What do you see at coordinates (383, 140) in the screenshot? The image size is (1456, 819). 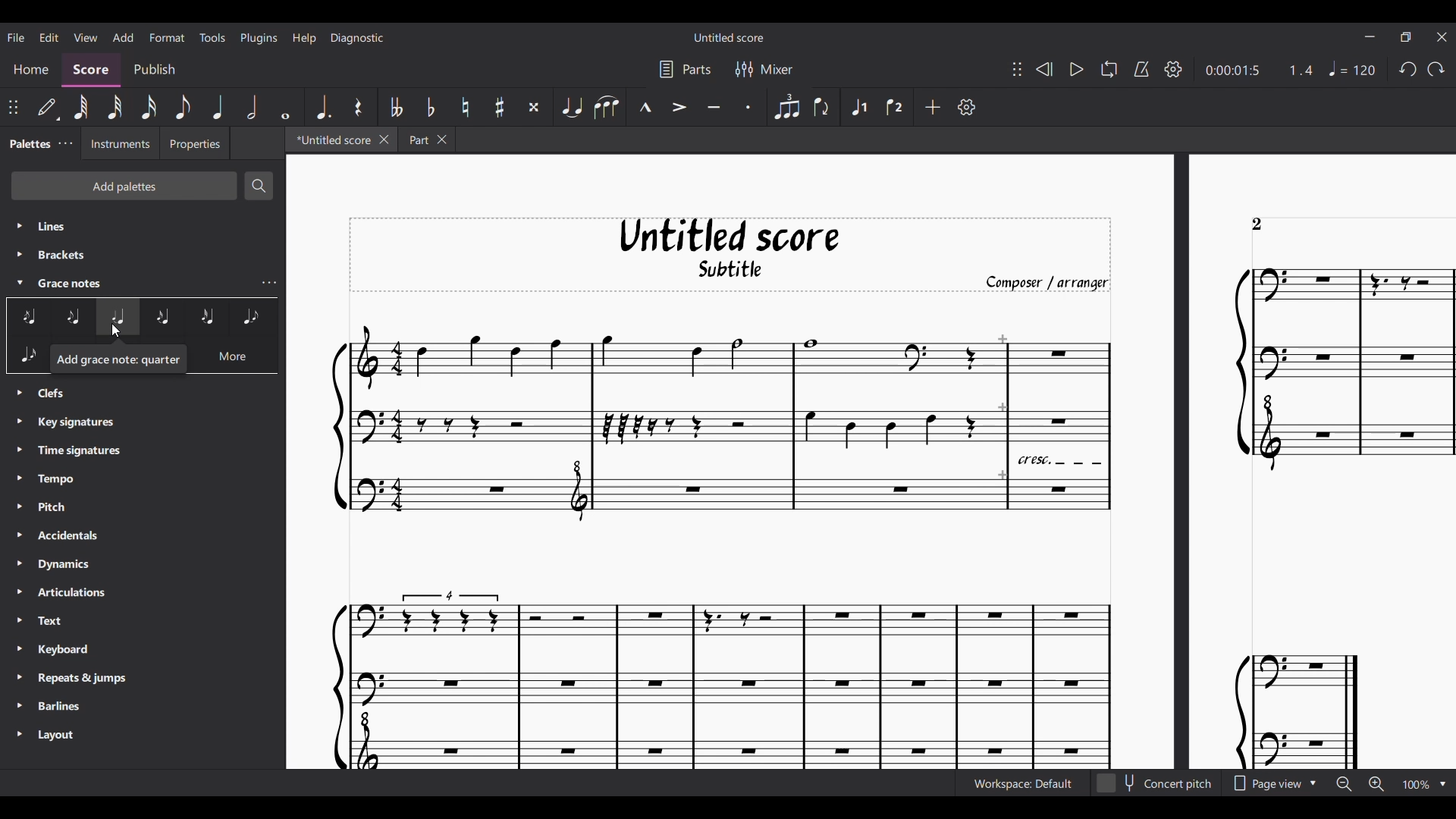 I see `Close current tab` at bounding box center [383, 140].